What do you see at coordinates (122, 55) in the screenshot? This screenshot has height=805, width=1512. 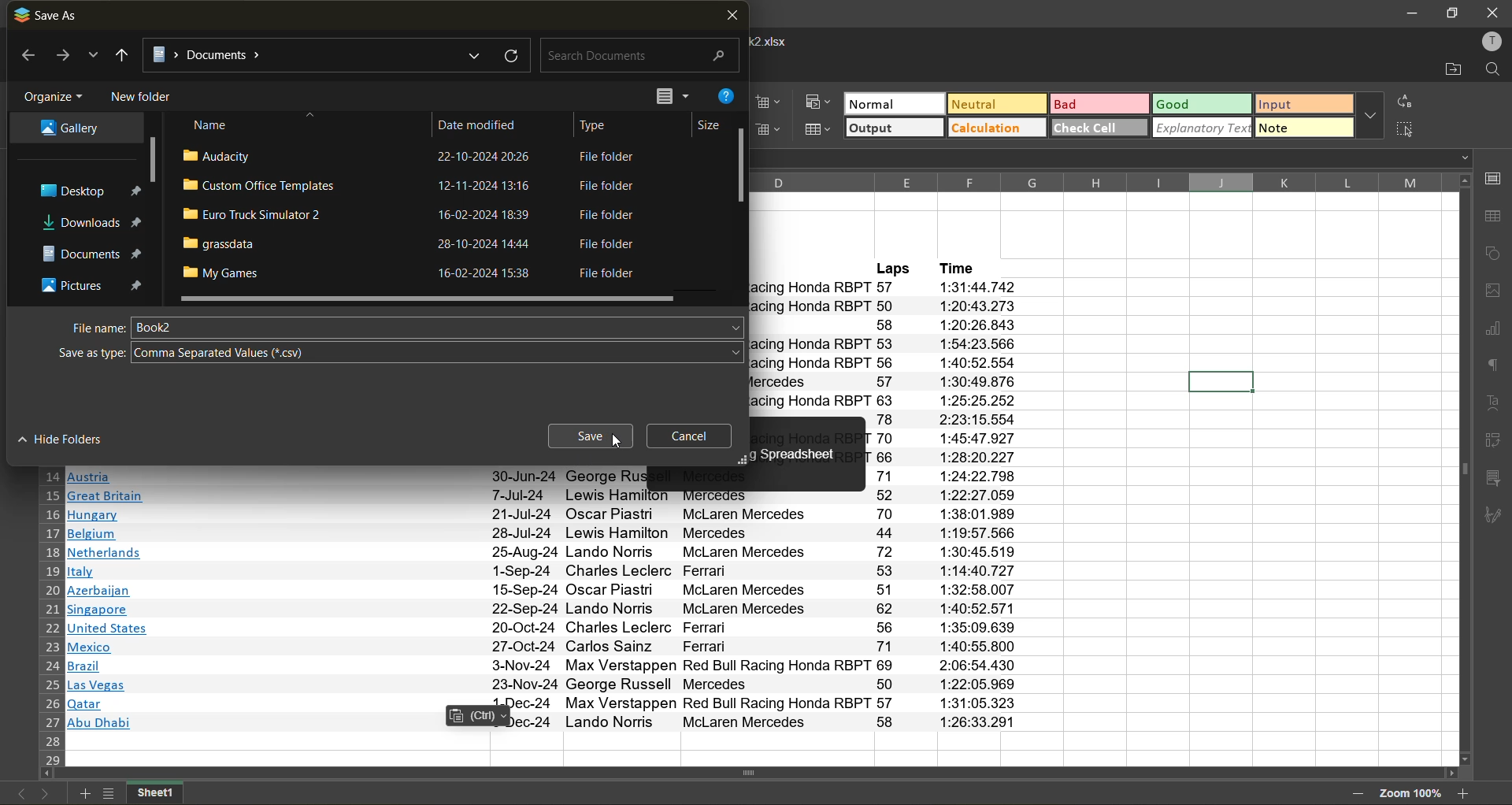 I see `go to the history` at bounding box center [122, 55].